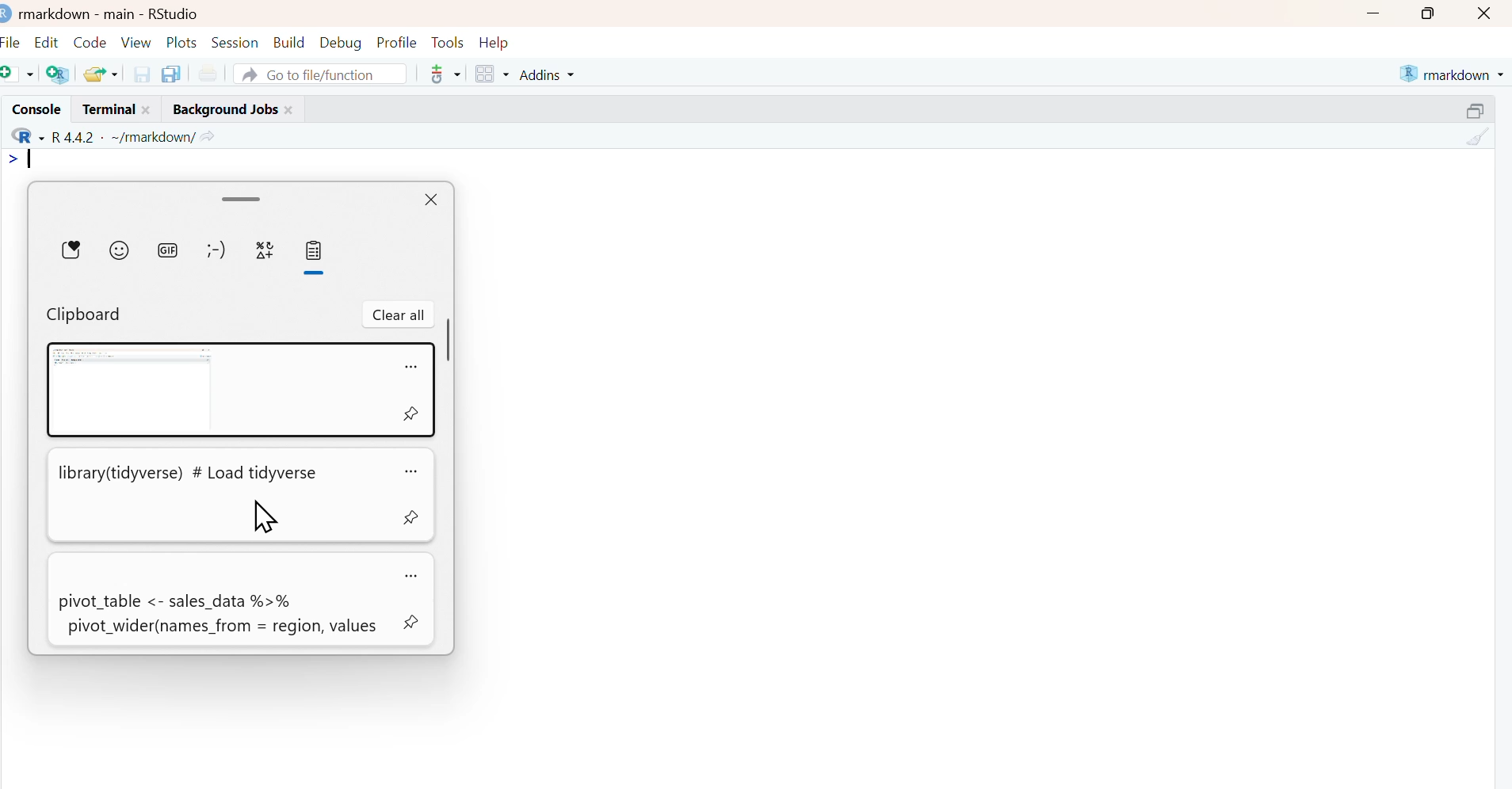  Describe the element at coordinates (32, 159) in the screenshot. I see `text cursor` at that location.